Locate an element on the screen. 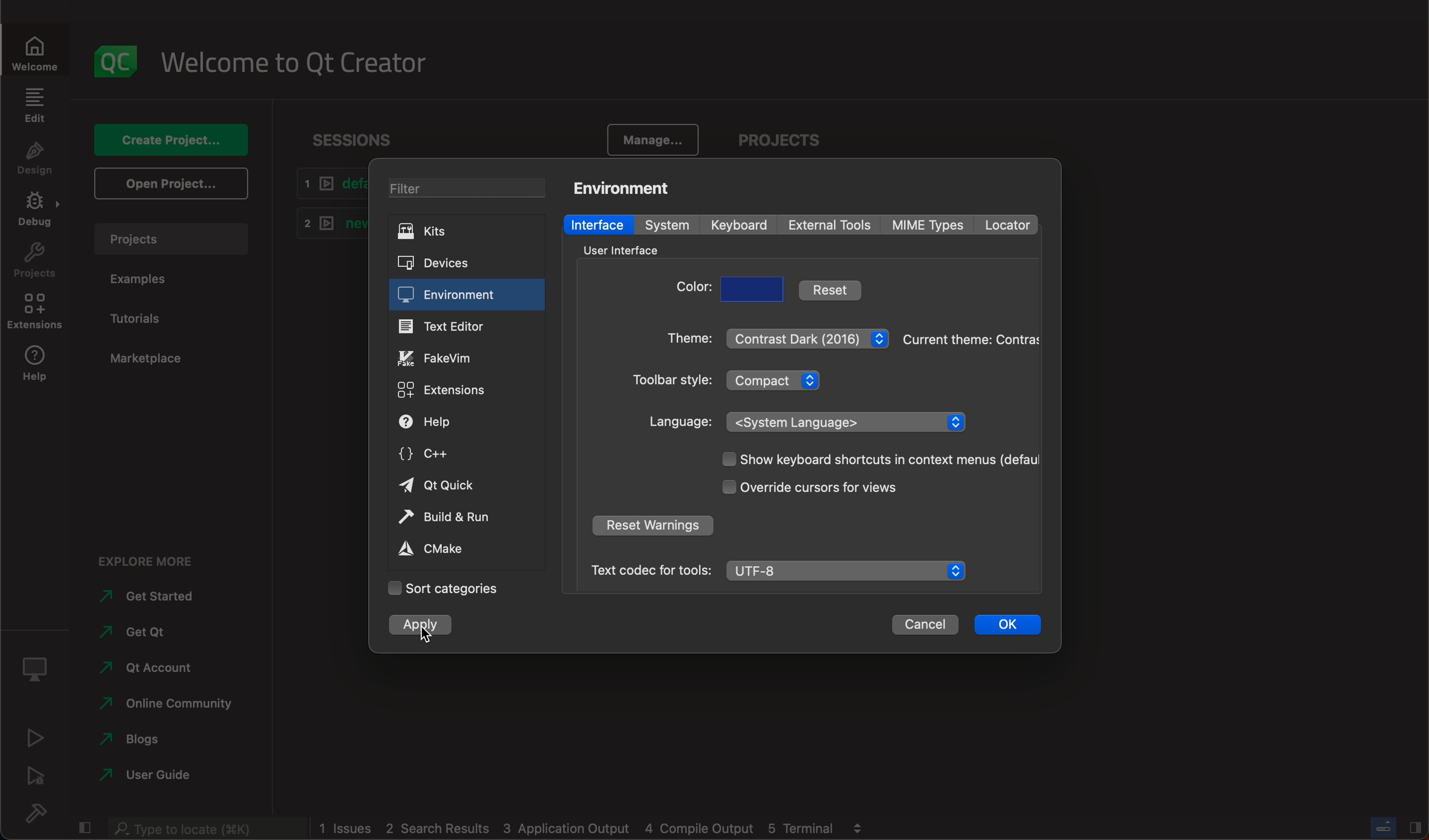 The image size is (1429, 840). blogs is located at coordinates (135, 737).